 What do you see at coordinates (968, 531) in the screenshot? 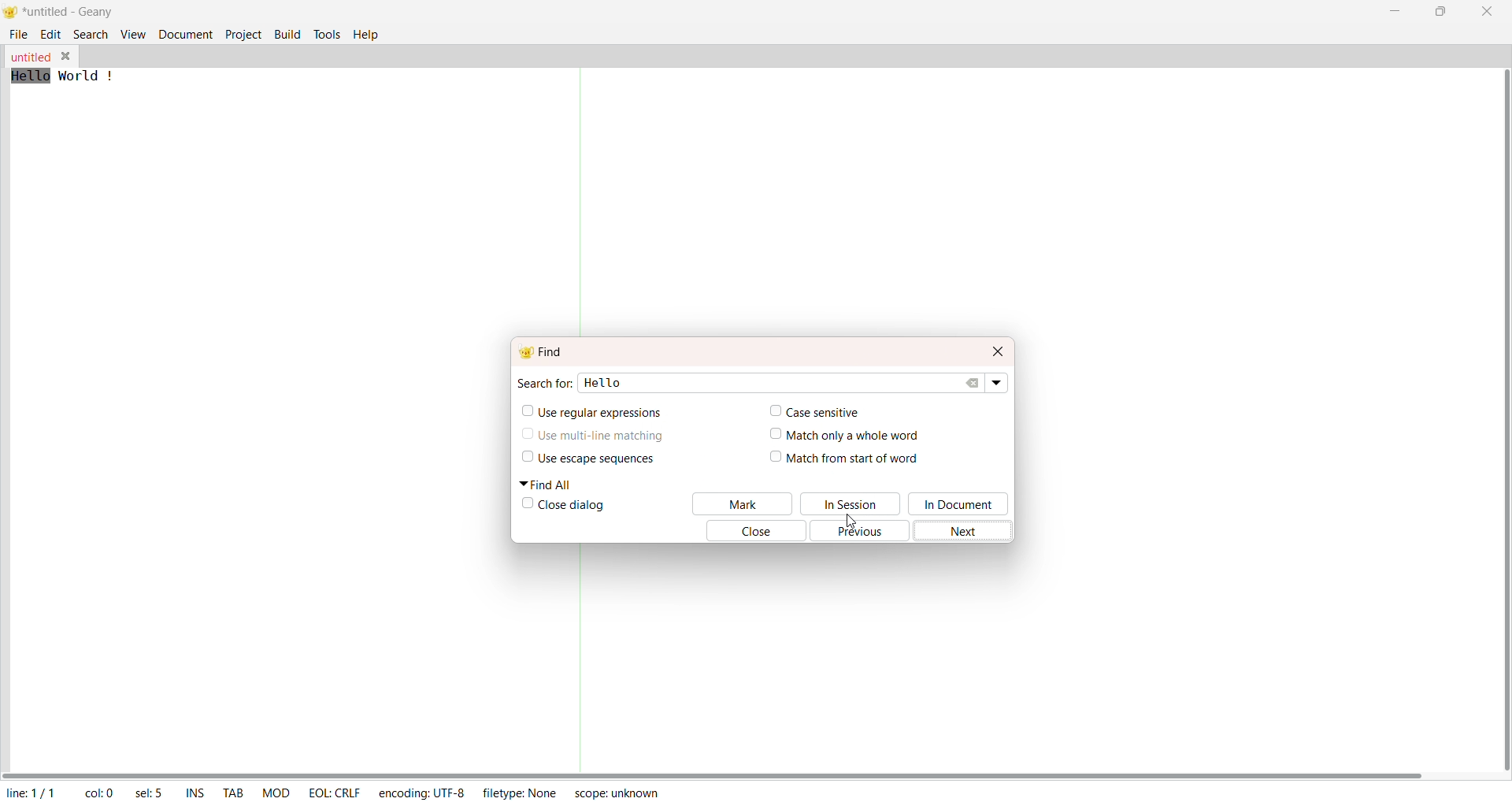
I see `Next` at bounding box center [968, 531].